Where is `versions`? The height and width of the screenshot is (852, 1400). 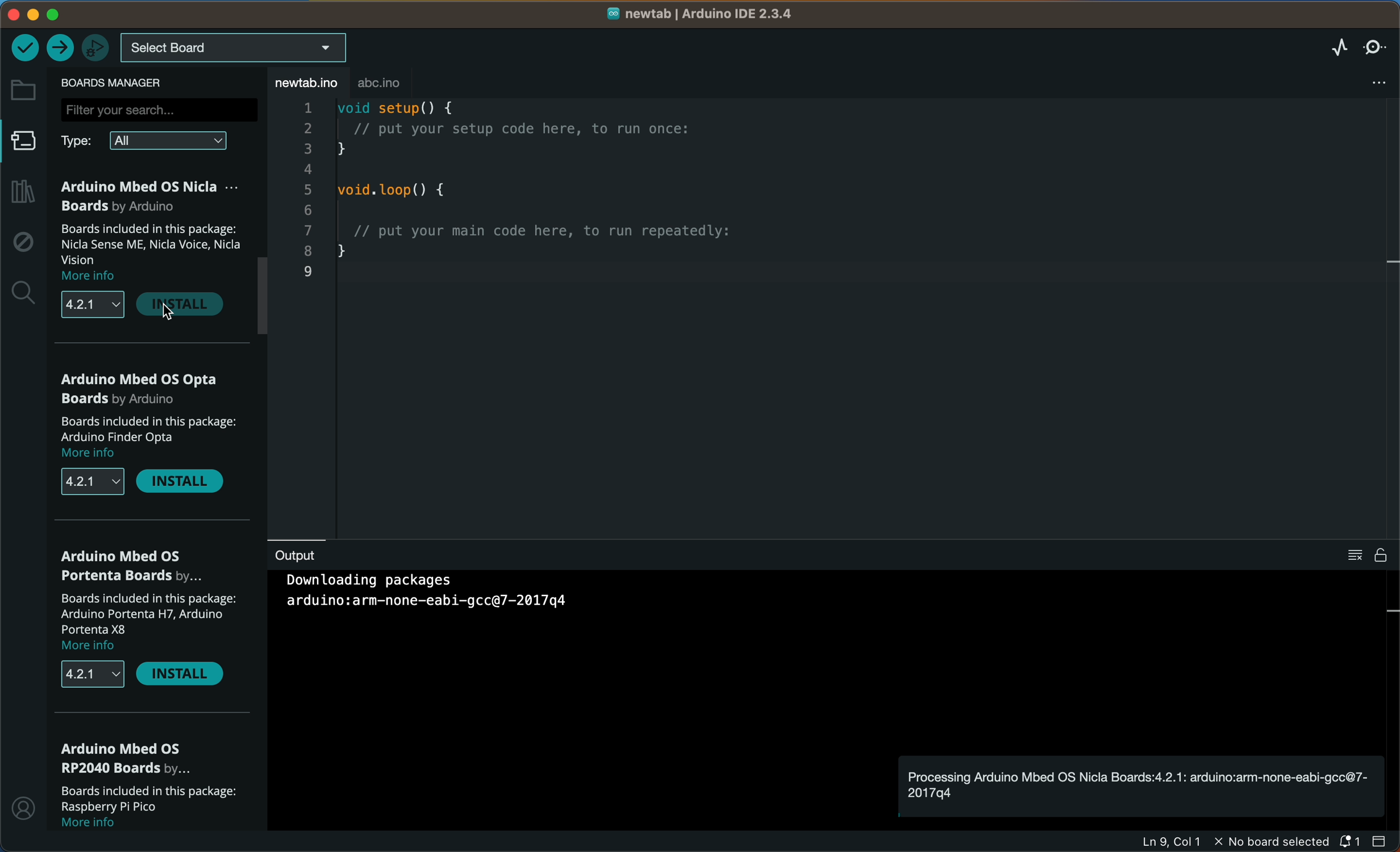 versions is located at coordinates (92, 305).